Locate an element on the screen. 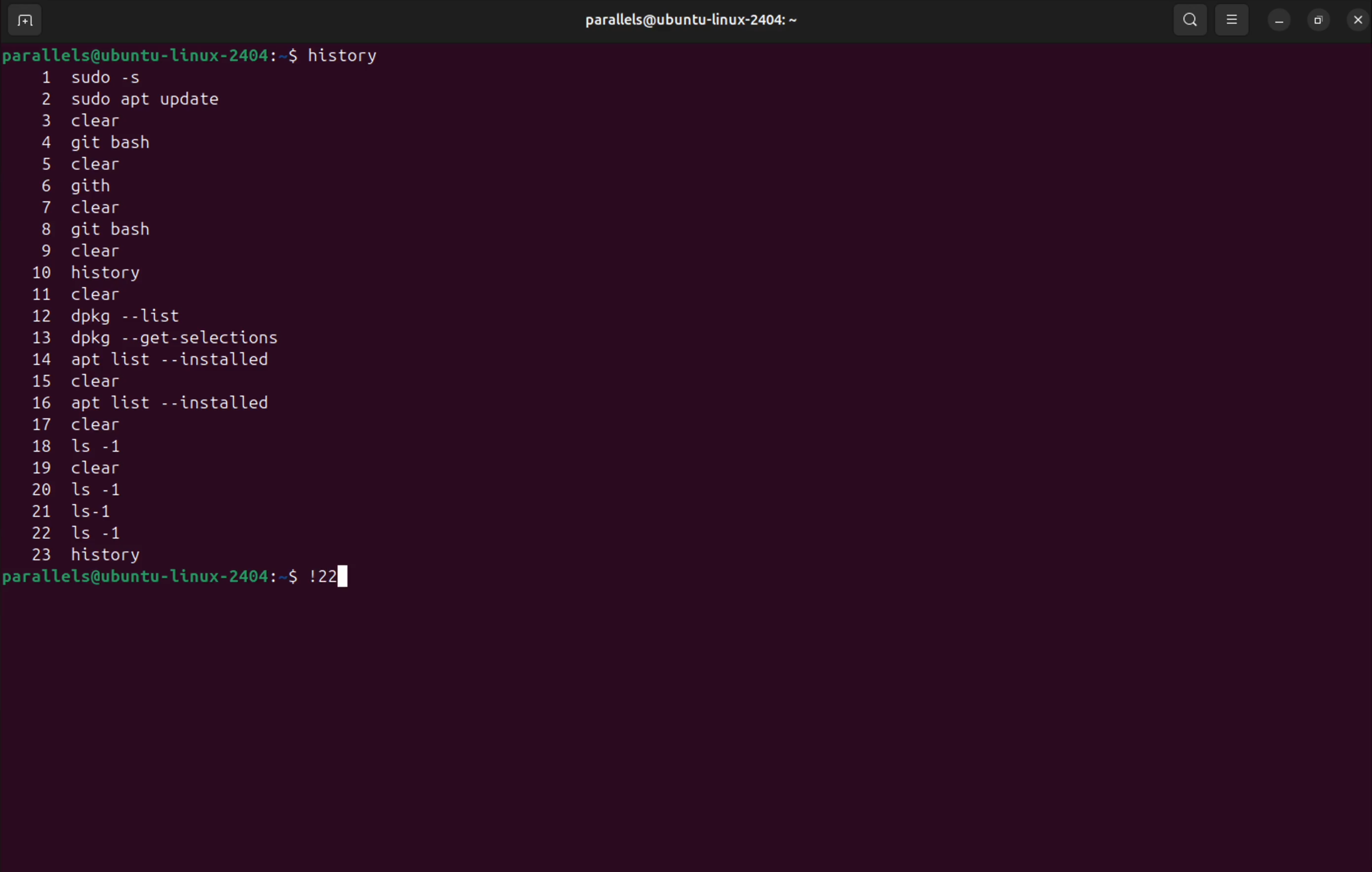  parallels username is located at coordinates (699, 18).